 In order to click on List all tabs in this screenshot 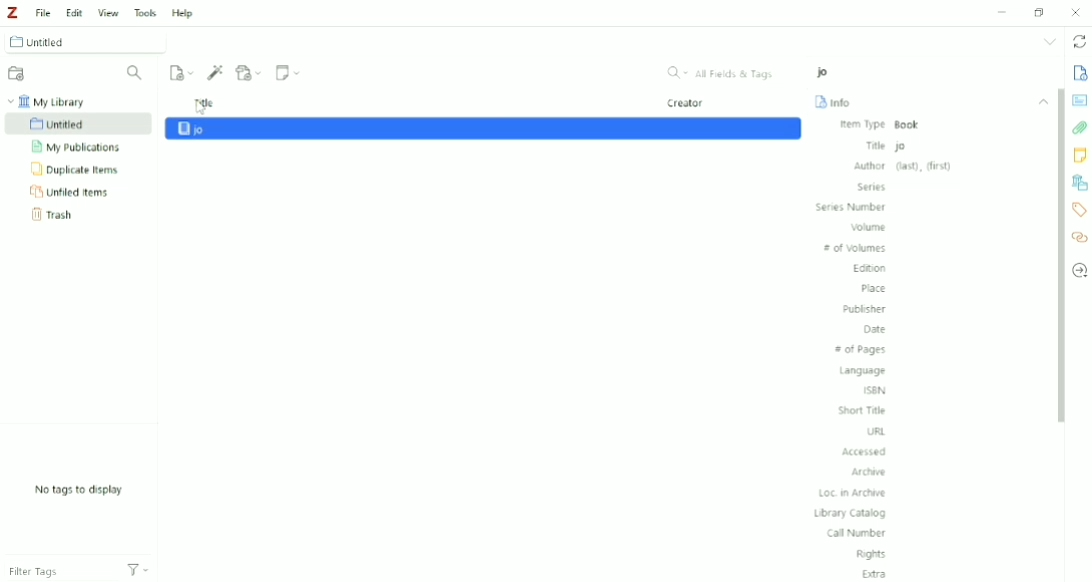, I will do `click(1049, 42)`.